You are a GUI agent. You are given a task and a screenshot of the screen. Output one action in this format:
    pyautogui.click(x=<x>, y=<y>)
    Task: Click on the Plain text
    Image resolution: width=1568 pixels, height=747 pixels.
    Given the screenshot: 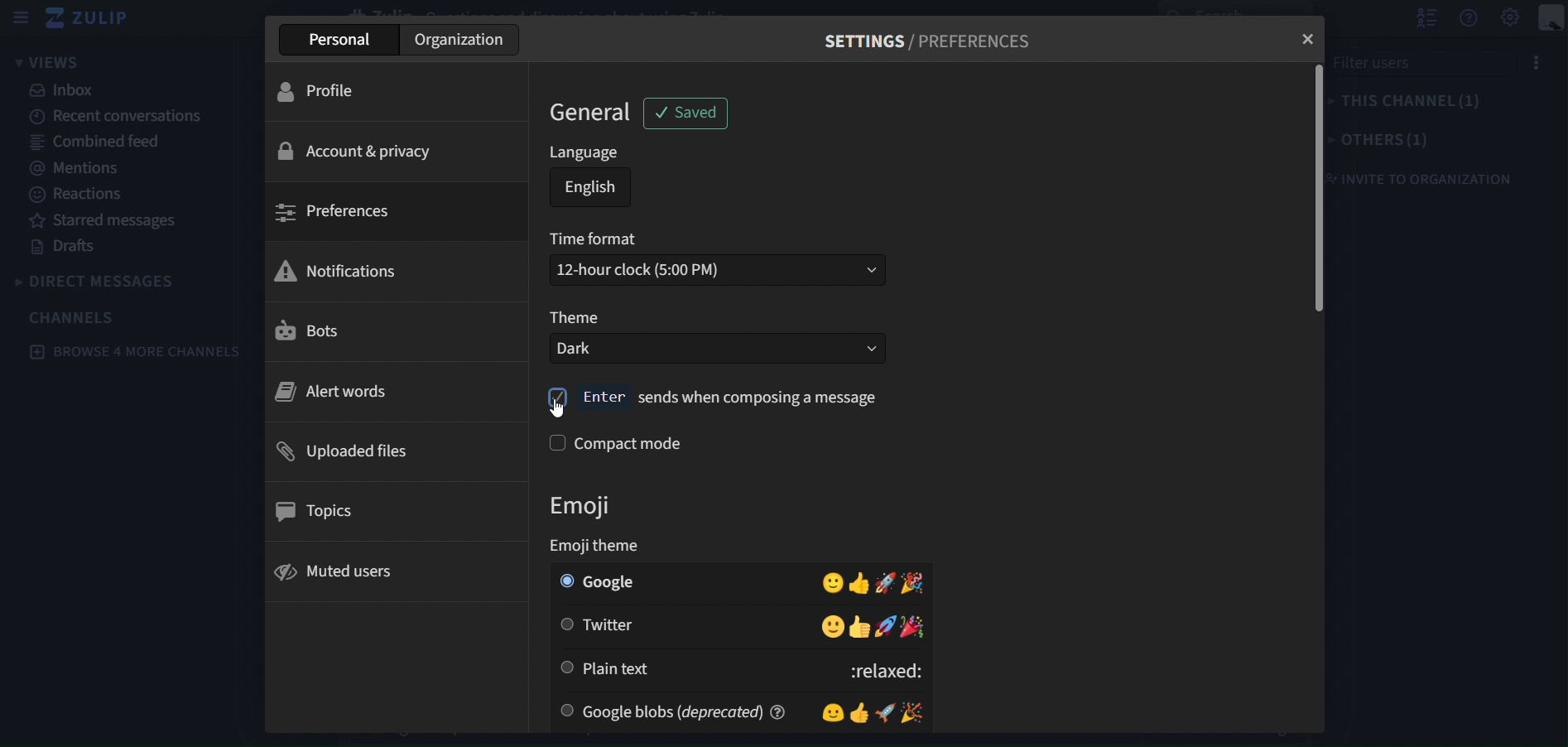 What is the action you would take?
    pyautogui.click(x=706, y=668)
    